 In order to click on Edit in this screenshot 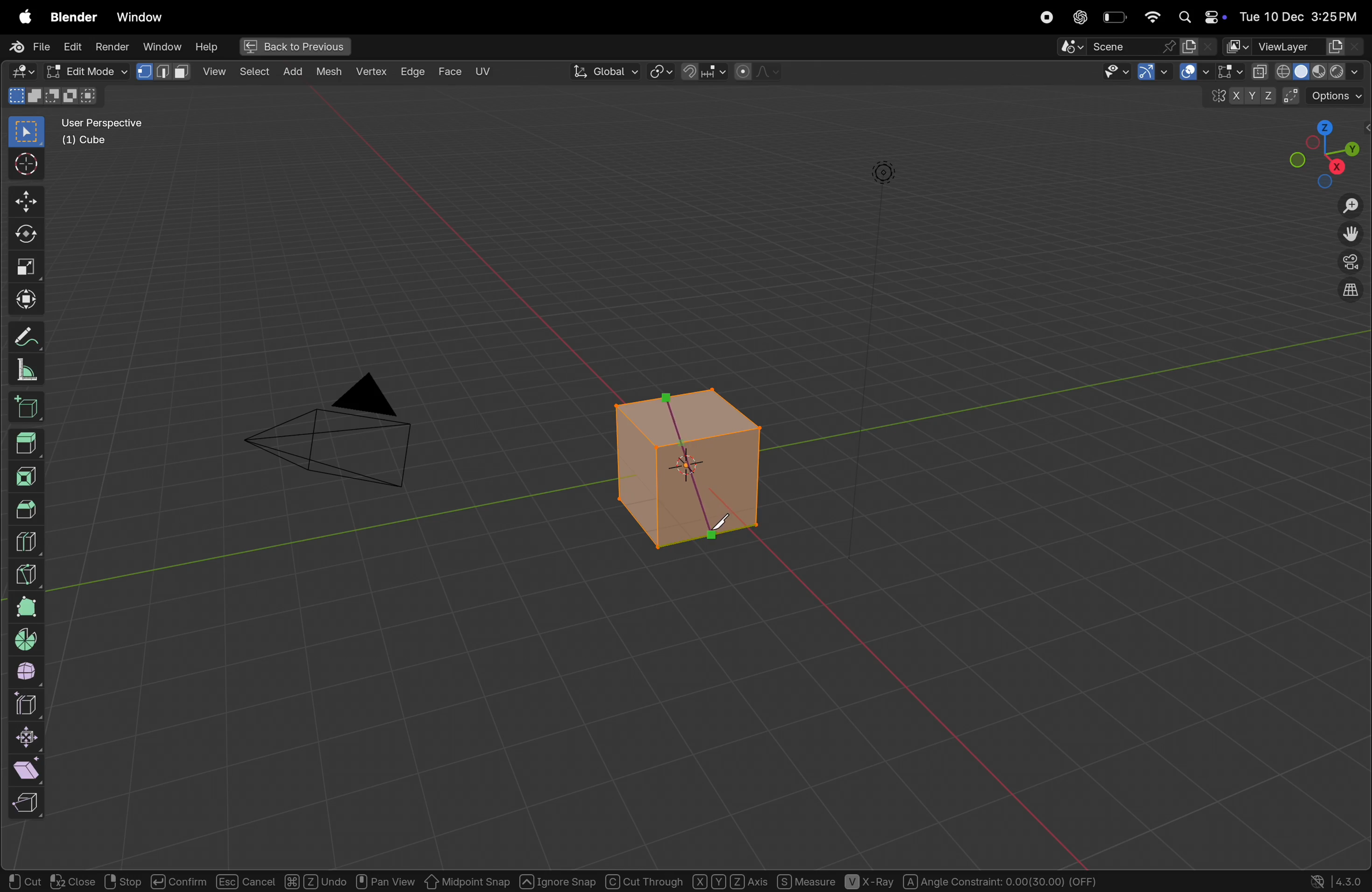, I will do `click(73, 46)`.